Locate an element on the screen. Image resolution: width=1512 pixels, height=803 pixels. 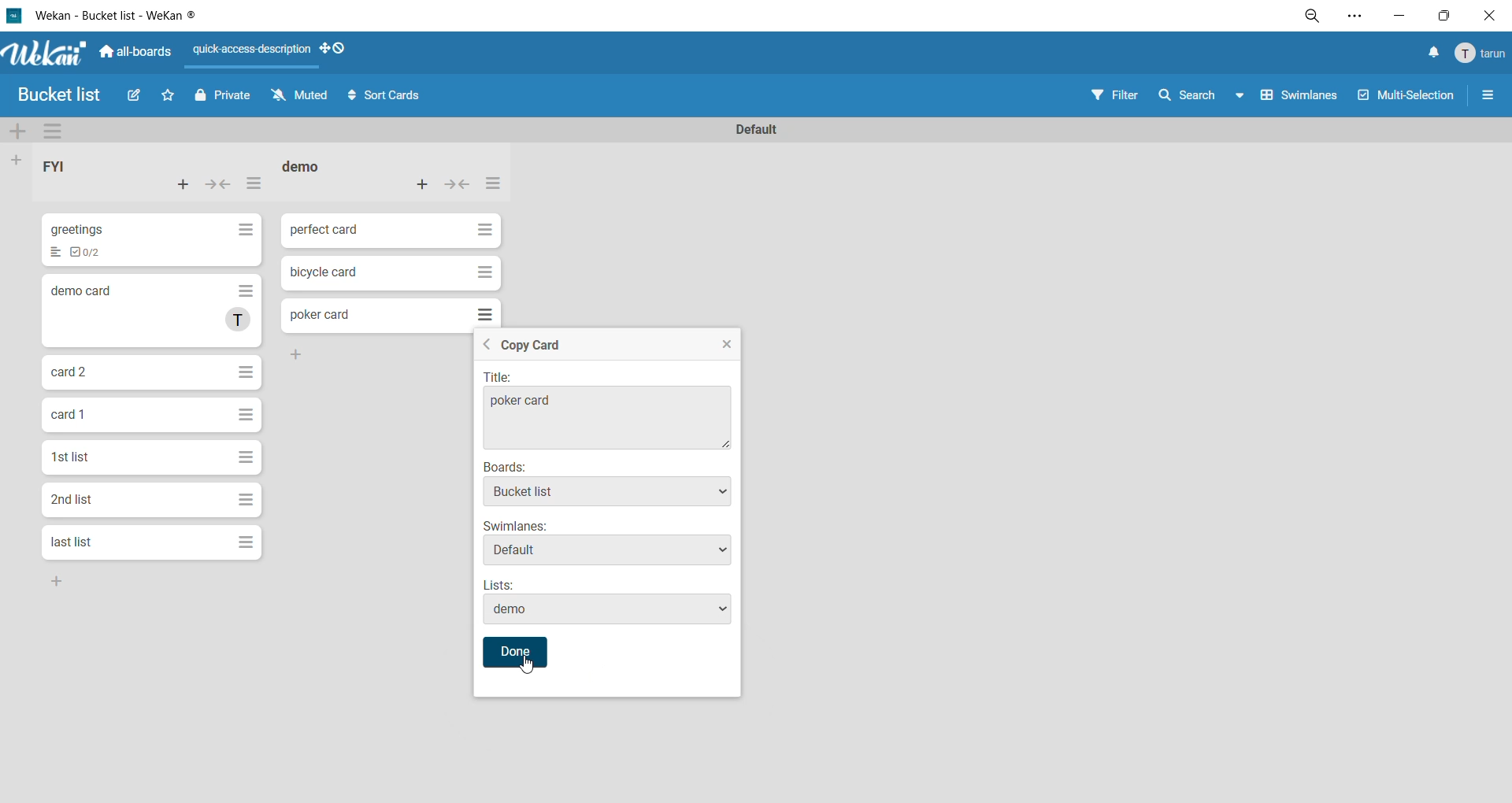
list title is located at coordinates (66, 169).